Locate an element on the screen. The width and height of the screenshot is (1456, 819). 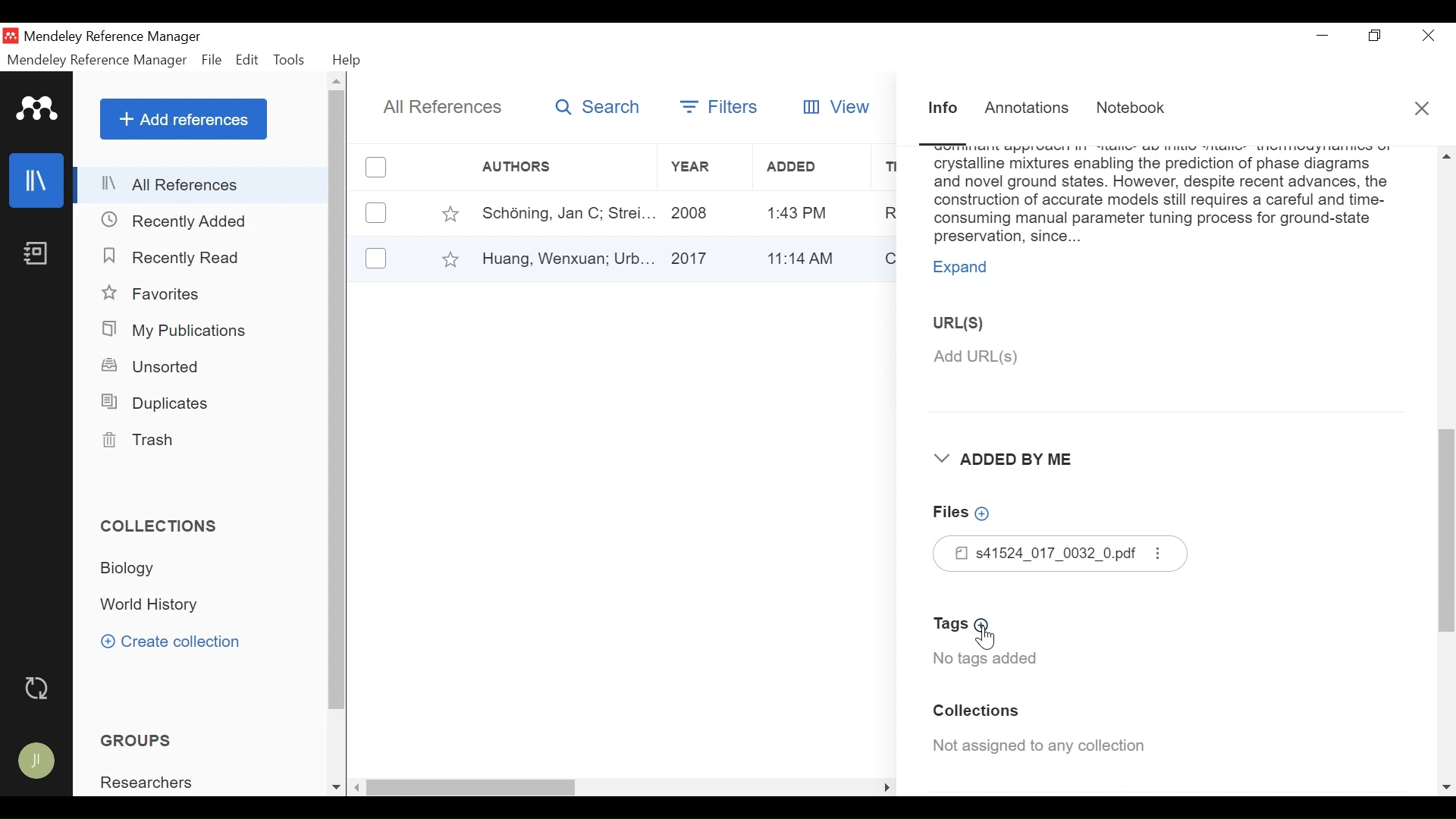
Scroll left is located at coordinates (358, 787).